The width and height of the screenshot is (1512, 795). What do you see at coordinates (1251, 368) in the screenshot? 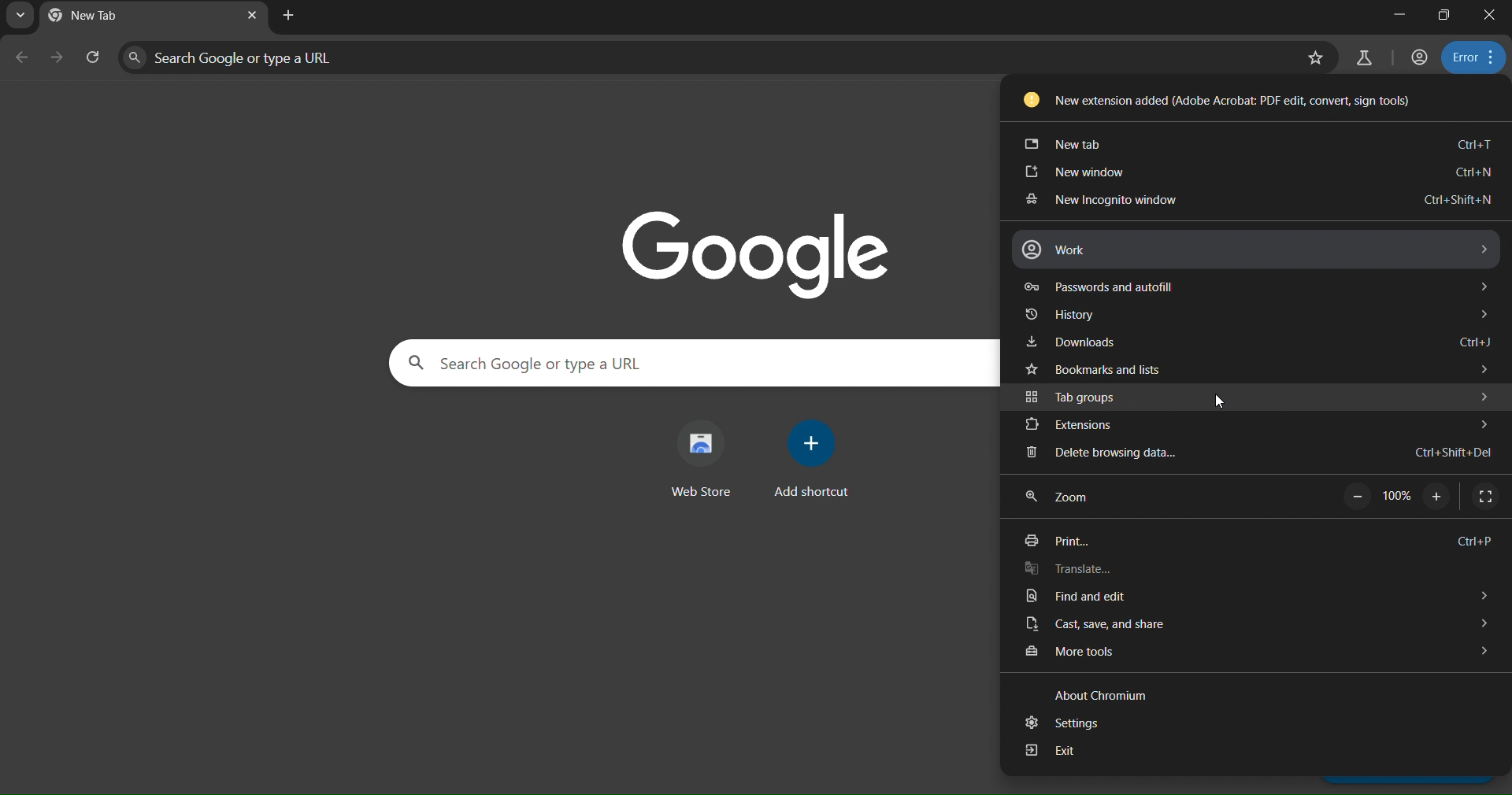
I see `bookmarks and lists` at bounding box center [1251, 368].